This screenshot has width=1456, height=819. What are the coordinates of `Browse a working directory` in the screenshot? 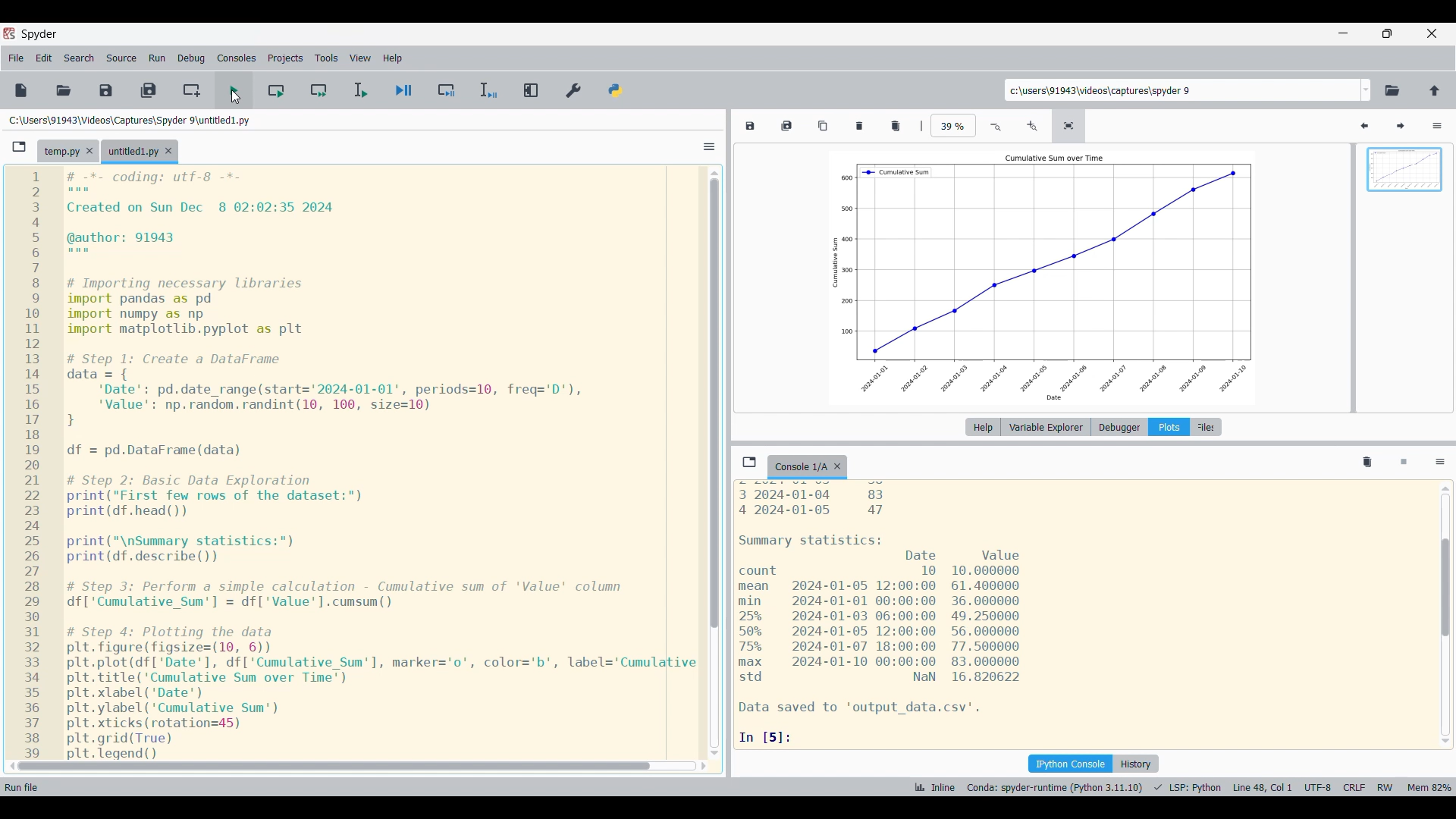 It's located at (1393, 92).